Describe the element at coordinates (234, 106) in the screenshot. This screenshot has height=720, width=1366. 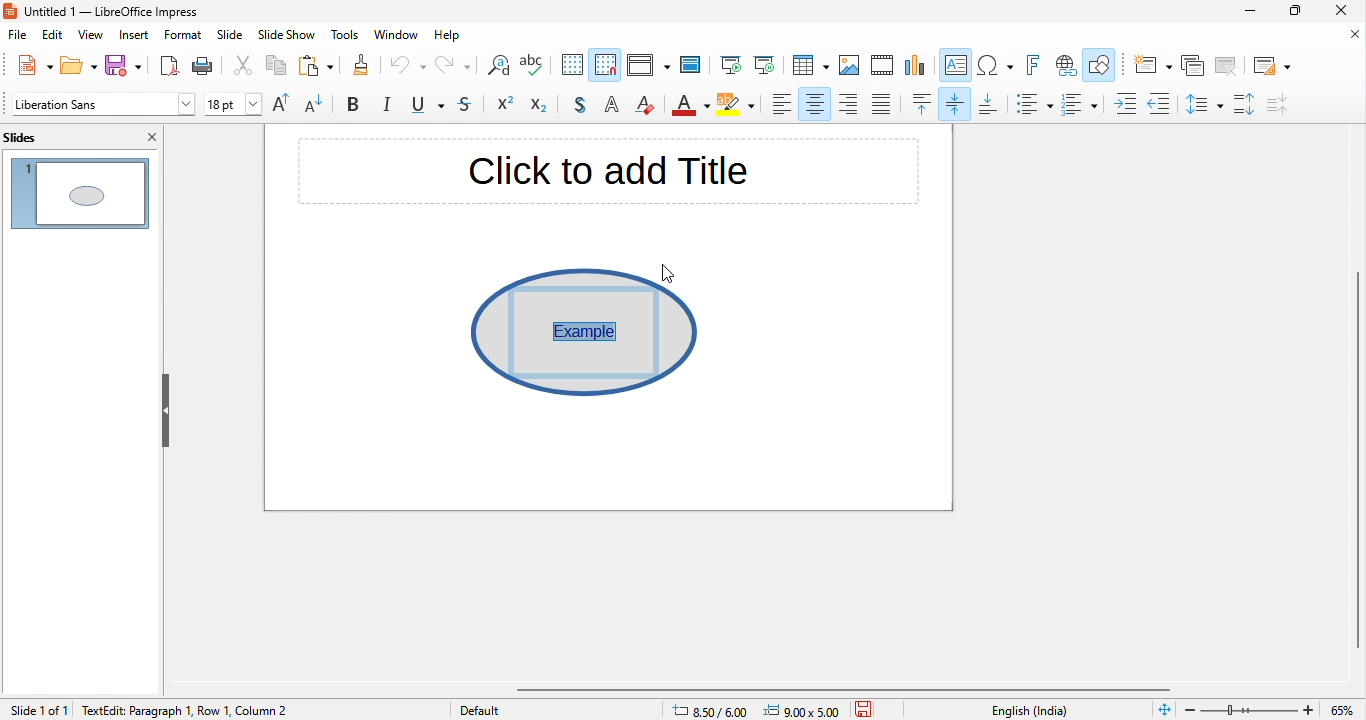
I see `font size` at that location.